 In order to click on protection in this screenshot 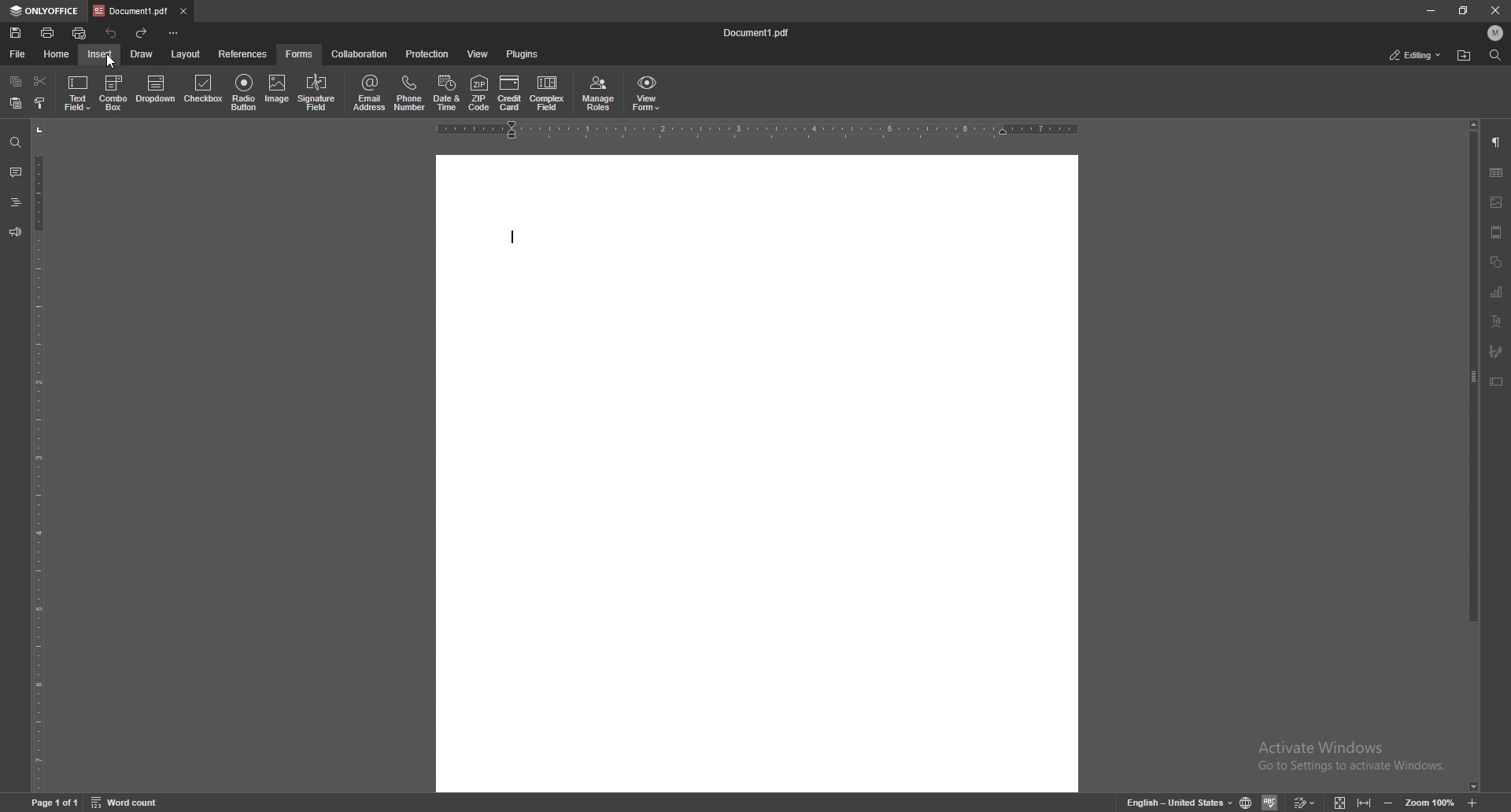, I will do `click(427, 54)`.